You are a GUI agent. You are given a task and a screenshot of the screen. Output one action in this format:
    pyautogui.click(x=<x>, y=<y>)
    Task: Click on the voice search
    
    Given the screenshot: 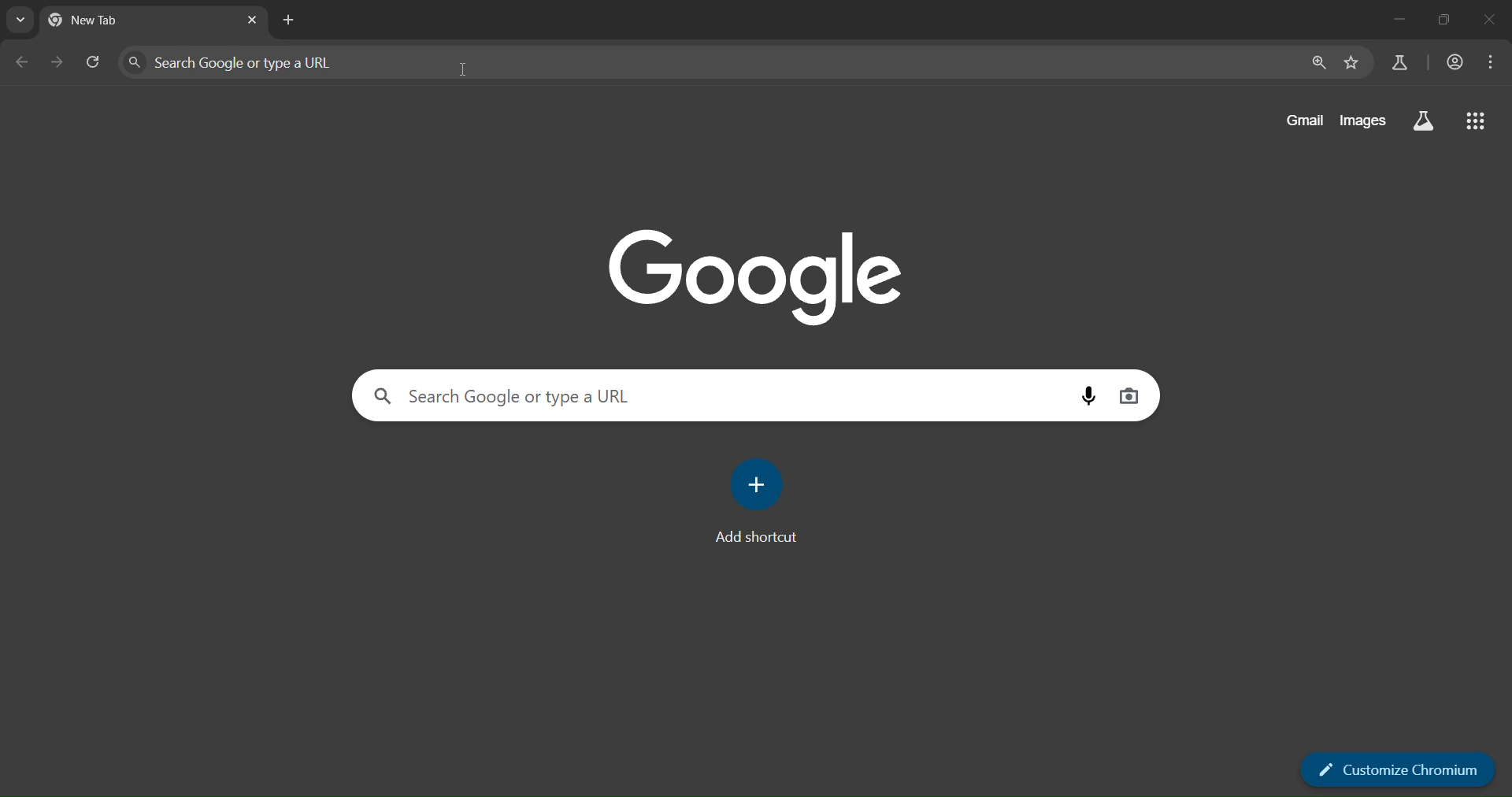 What is the action you would take?
    pyautogui.click(x=1091, y=396)
    